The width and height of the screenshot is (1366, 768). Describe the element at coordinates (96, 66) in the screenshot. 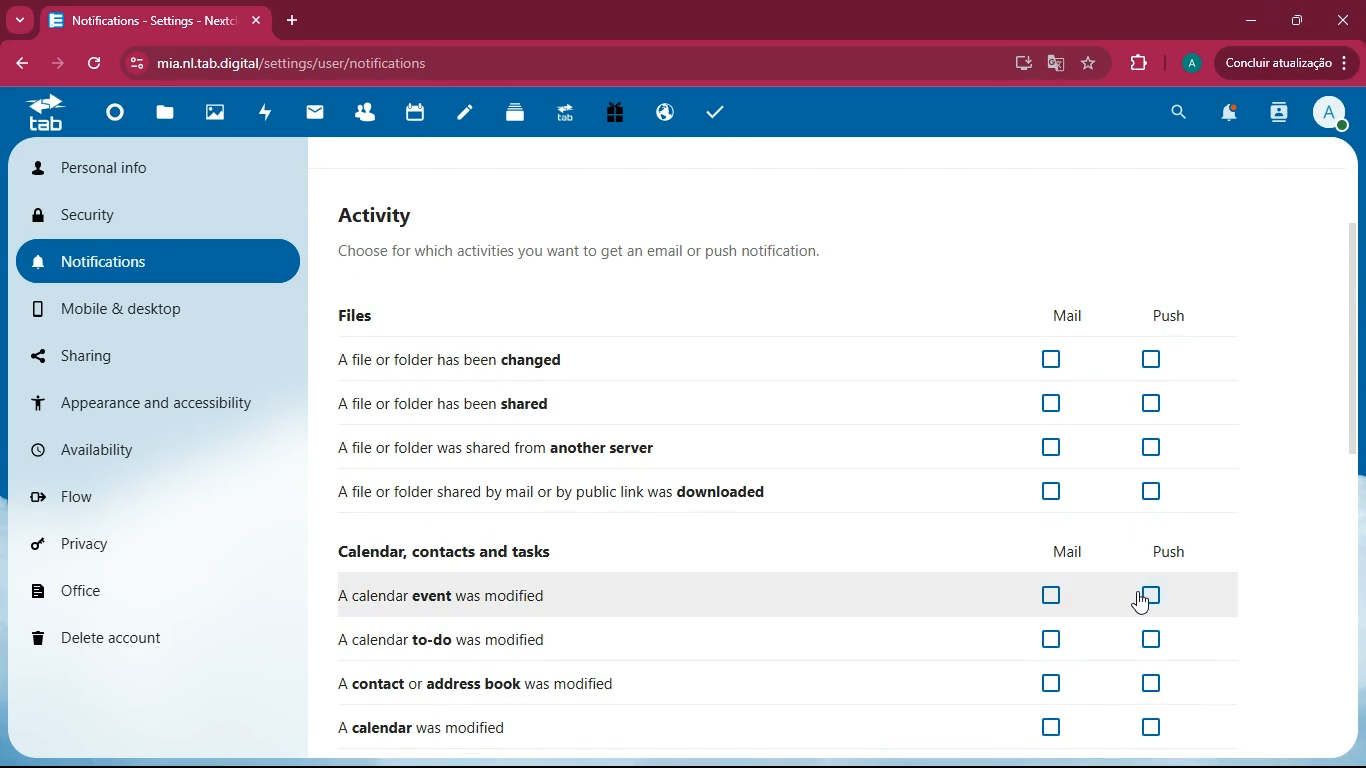

I see `refresh` at that location.